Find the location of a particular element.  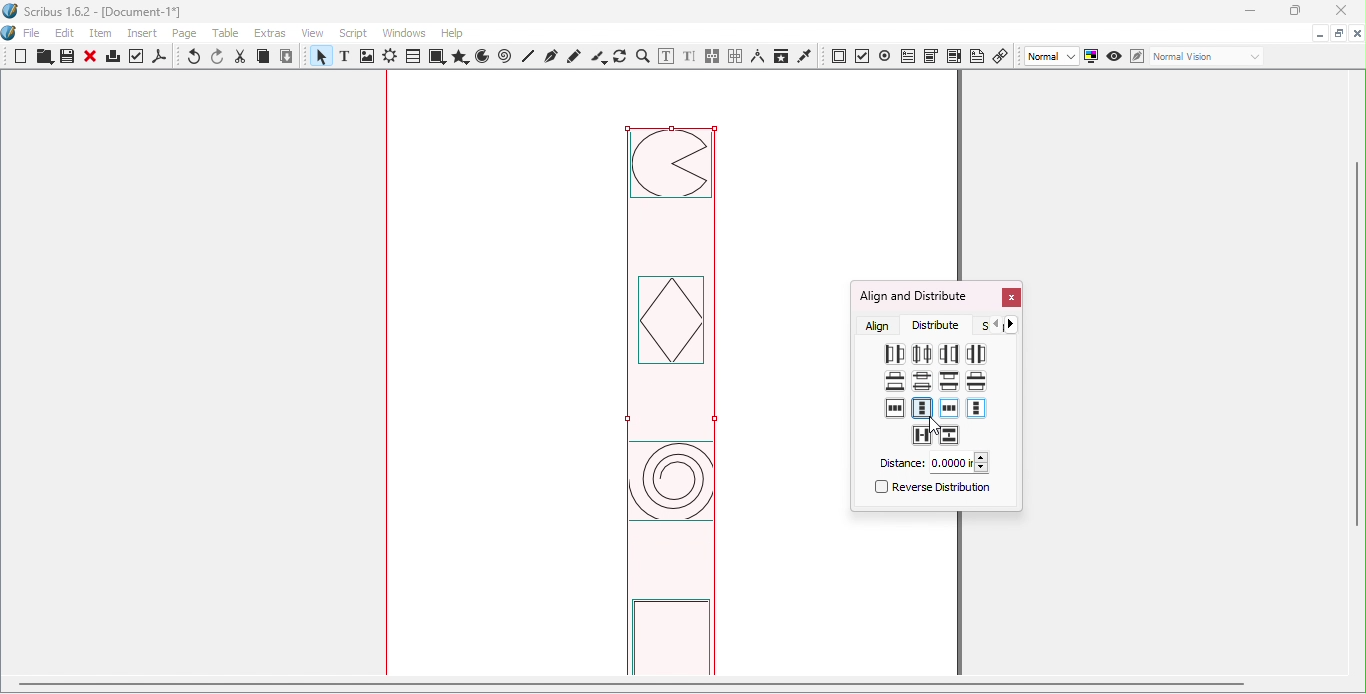

Insert is located at coordinates (145, 31).